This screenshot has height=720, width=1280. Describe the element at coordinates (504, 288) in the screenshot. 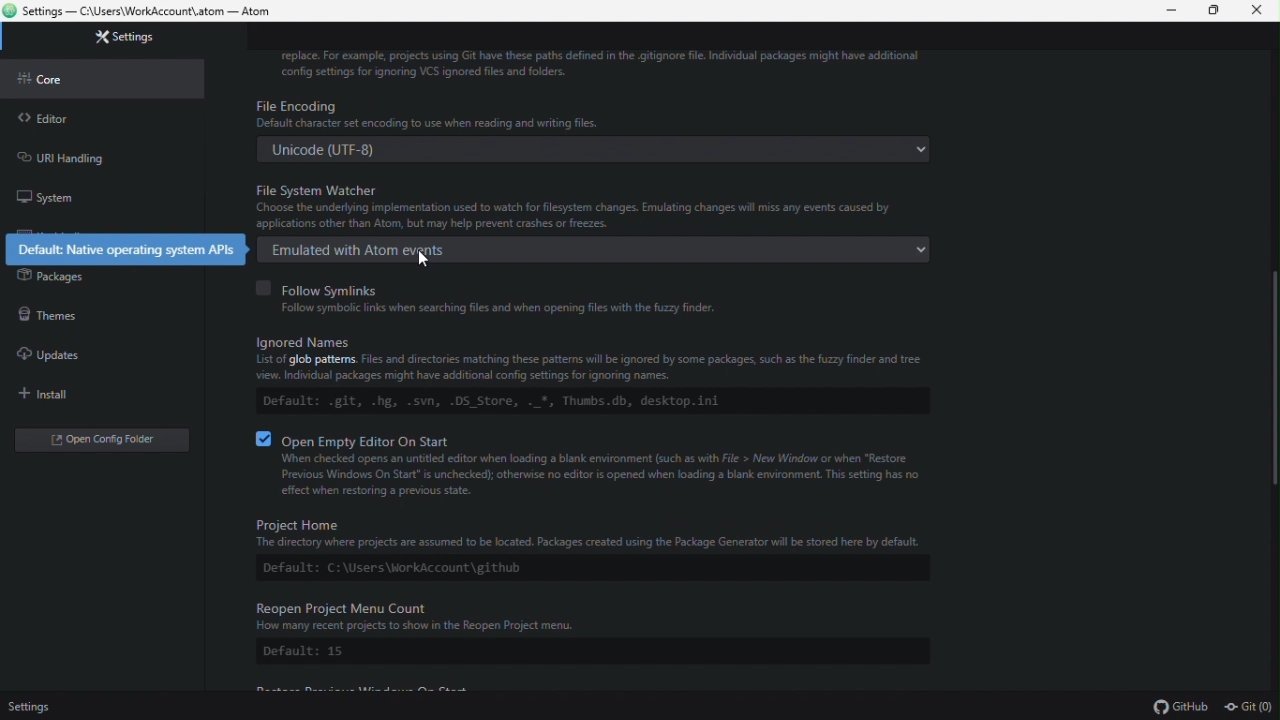

I see `Follow Symlinks` at that location.